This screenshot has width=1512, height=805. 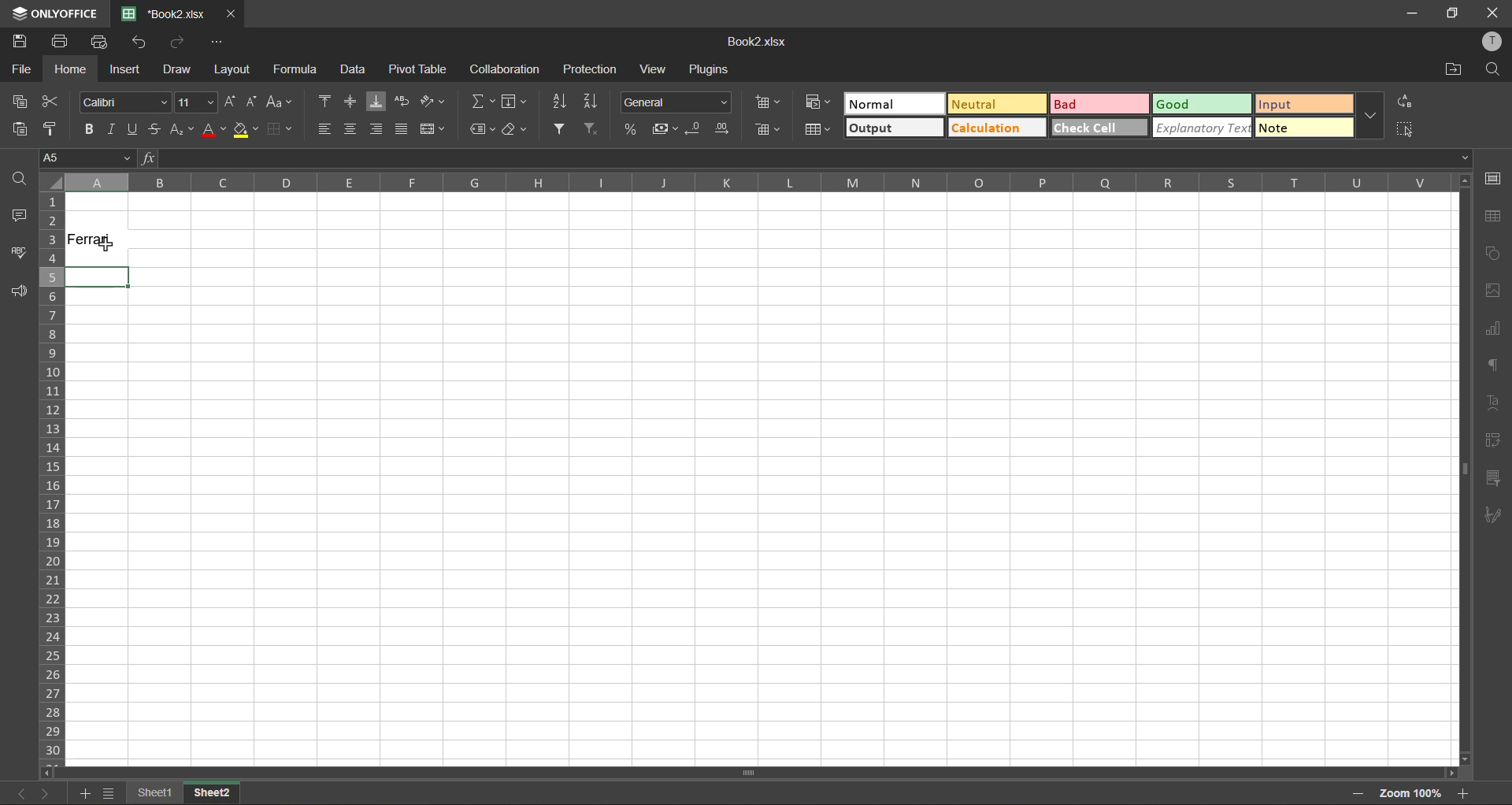 What do you see at coordinates (18, 288) in the screenshot?
I see `feedback` at bounding box center [18, 288].